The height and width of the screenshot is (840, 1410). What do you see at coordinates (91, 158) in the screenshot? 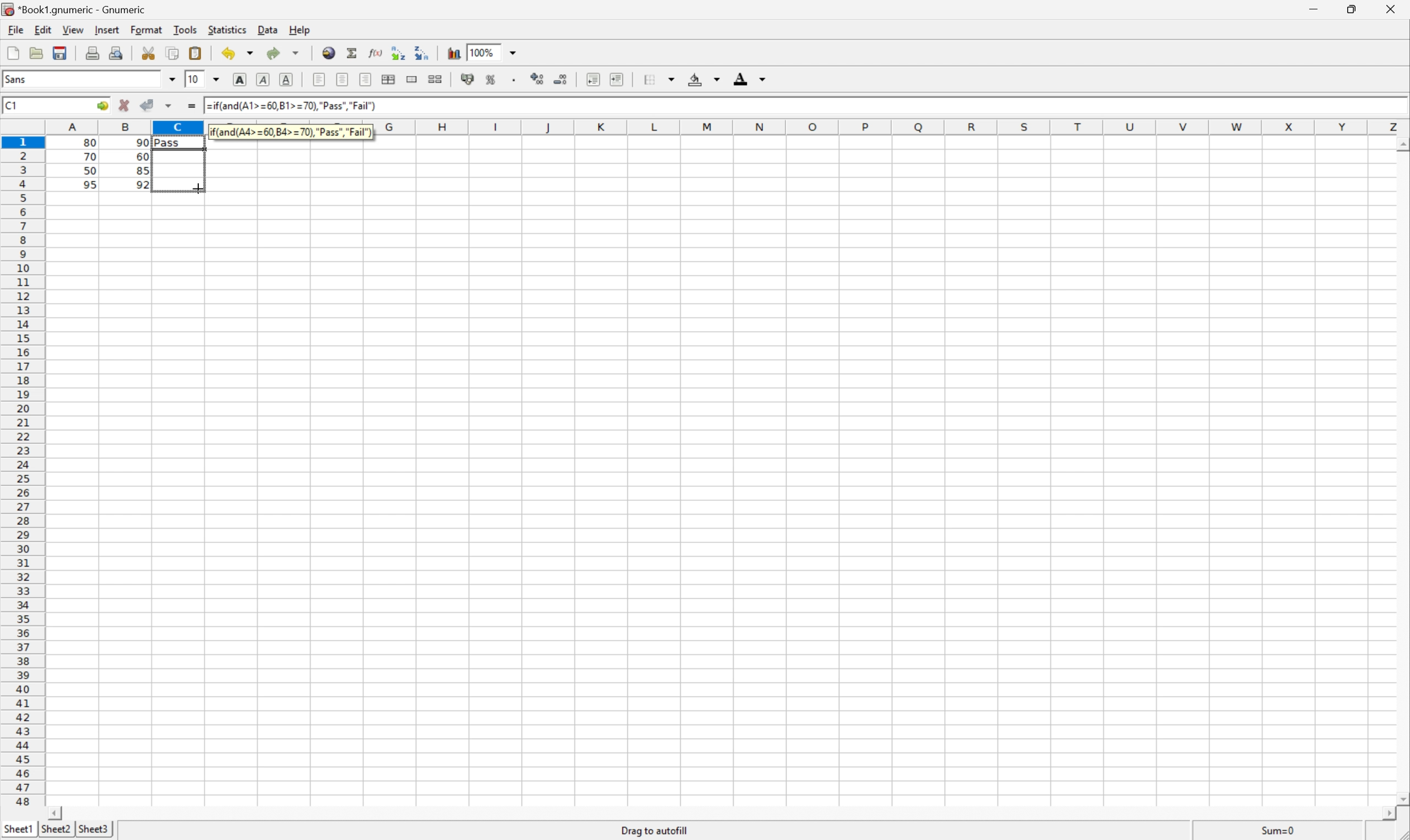
I see `70` at bounding box center [91, 158].